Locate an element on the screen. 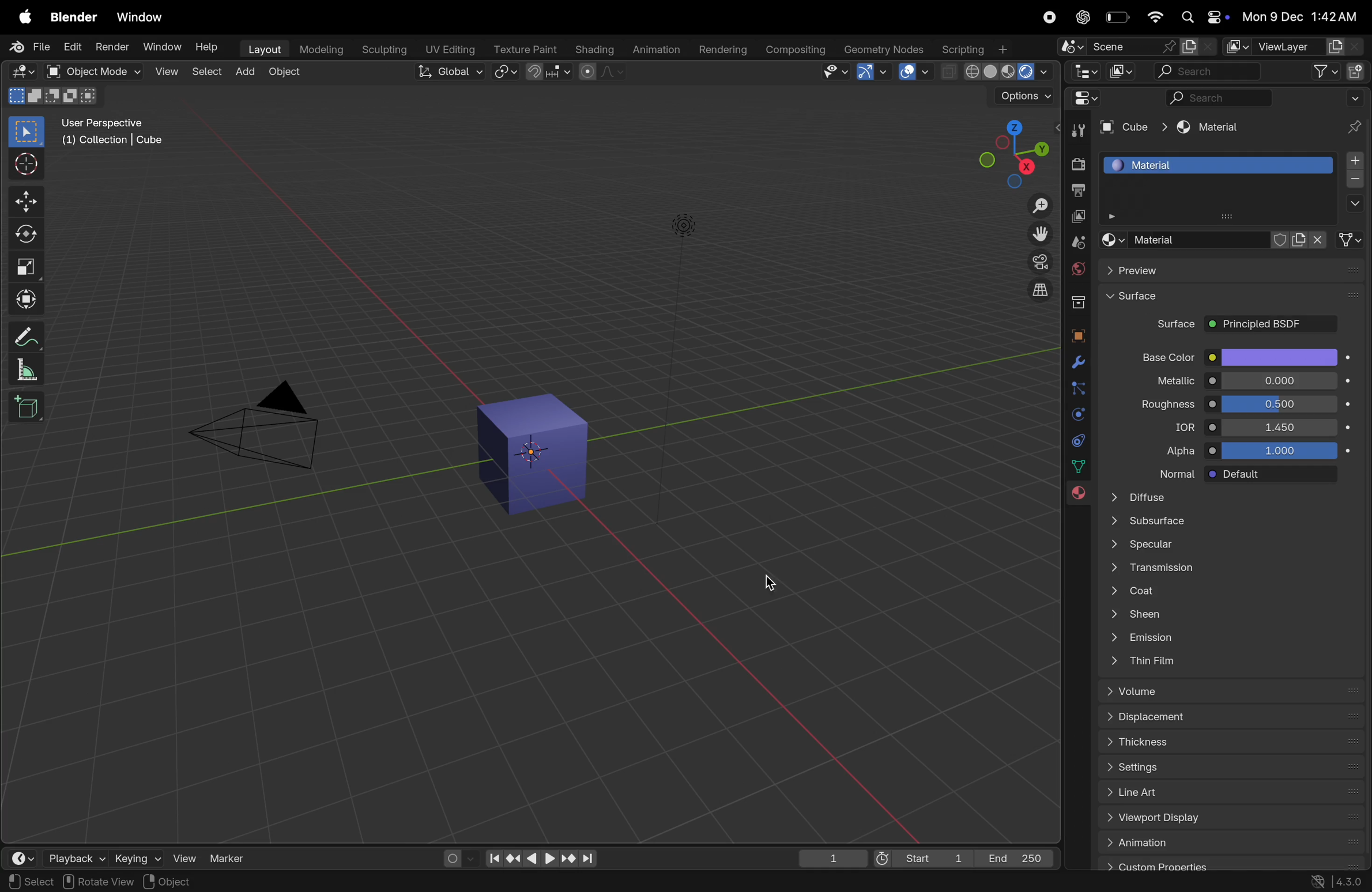 The image size is (1372, 892). transform pviot is located at coordinates (506, 72).